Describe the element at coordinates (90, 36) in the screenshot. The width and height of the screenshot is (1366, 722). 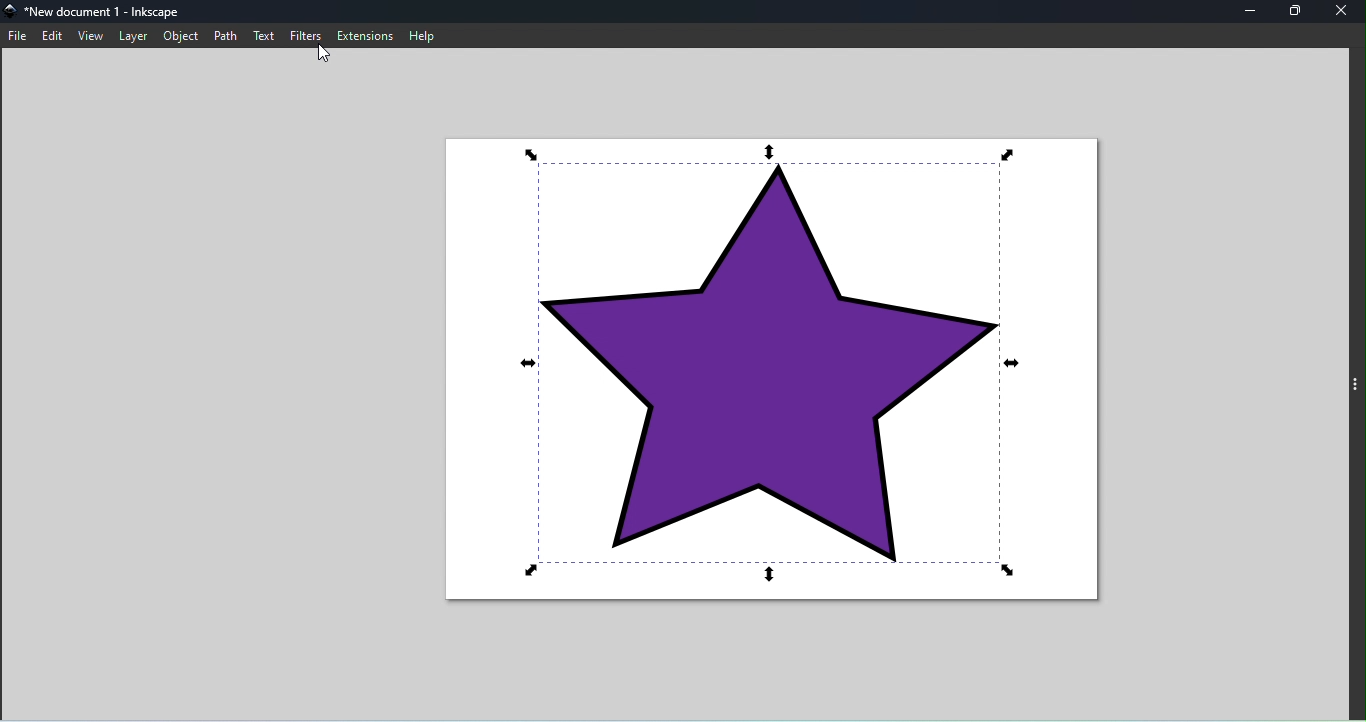
I see `view` at that location.